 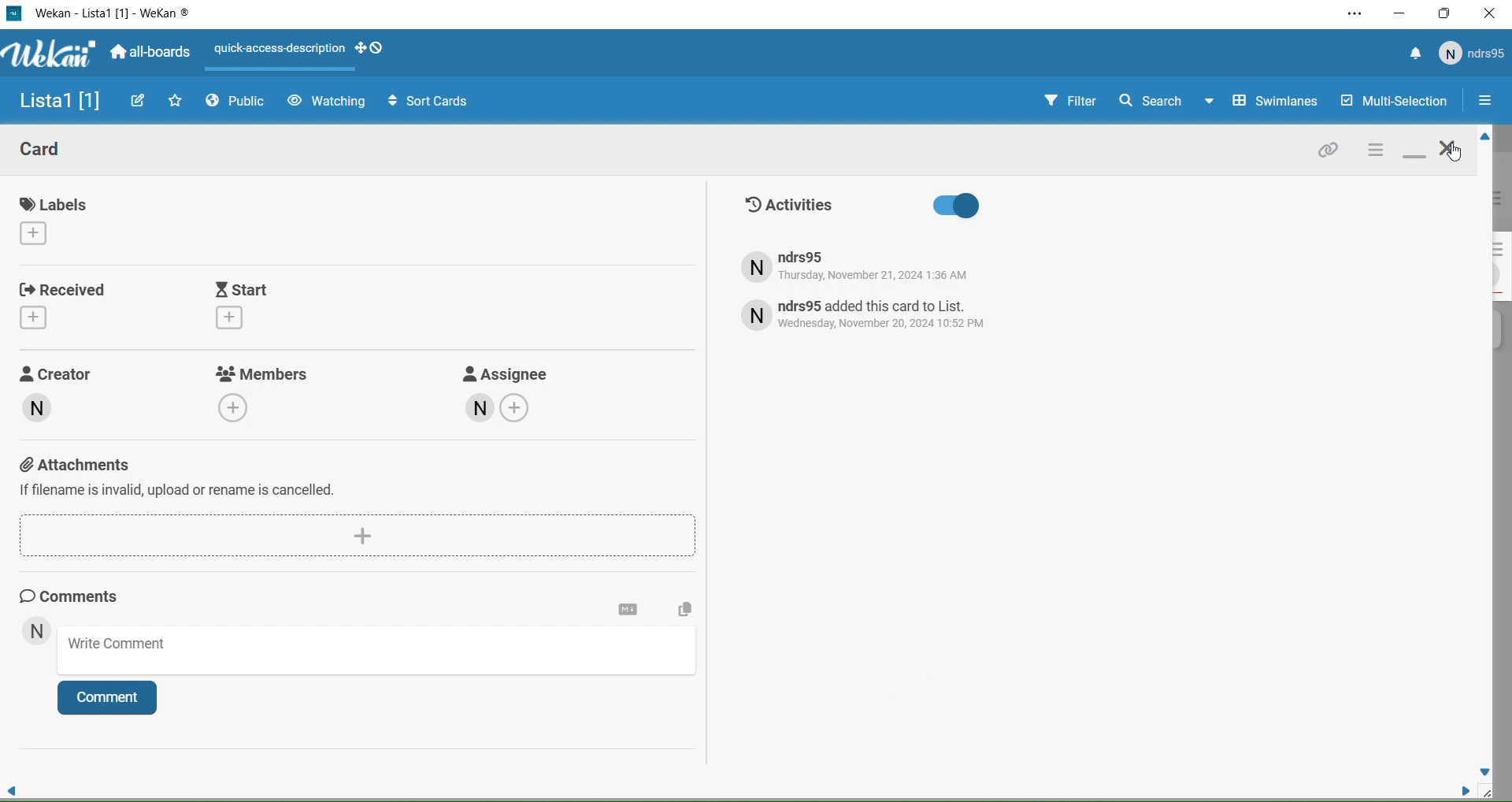 What do you see at coordinates (284, 306) in the screenshot?
I see `Start` at bounding box center [284, 306].